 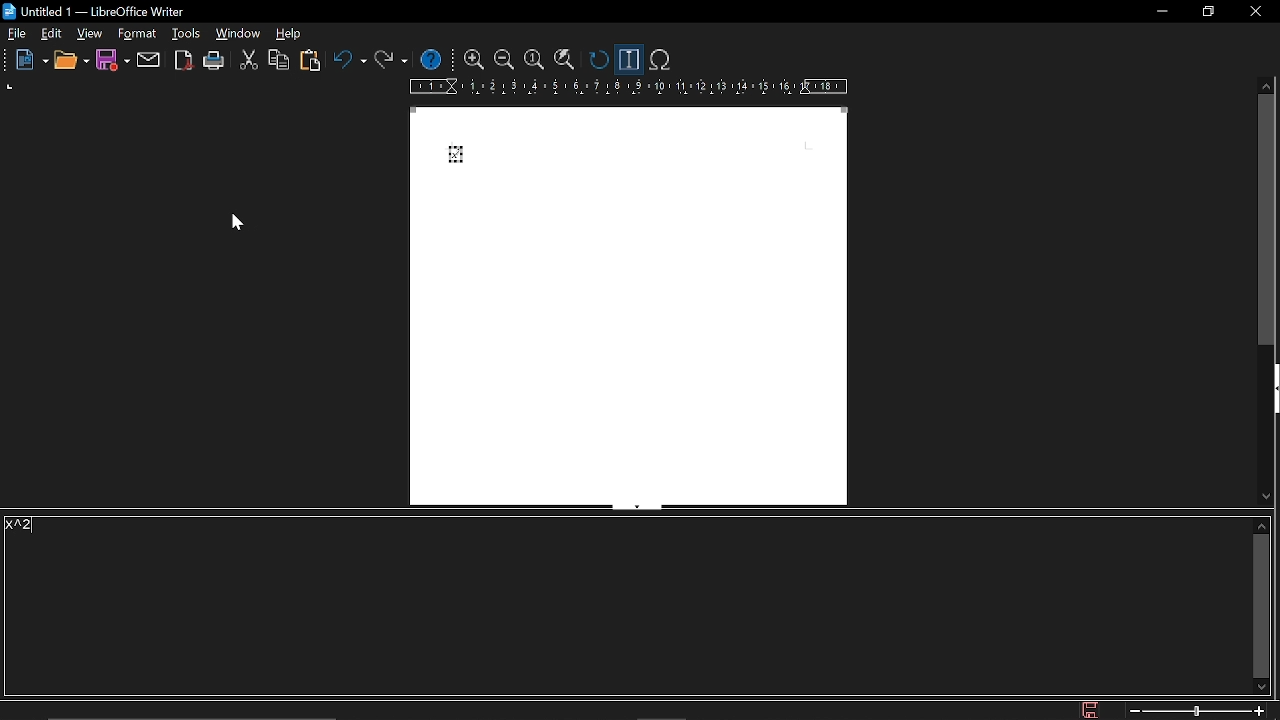 What do you see at coordinates (11, 10) in the screenshot?
I see `libreoffice writer logo` at bounding box center [11, 10].